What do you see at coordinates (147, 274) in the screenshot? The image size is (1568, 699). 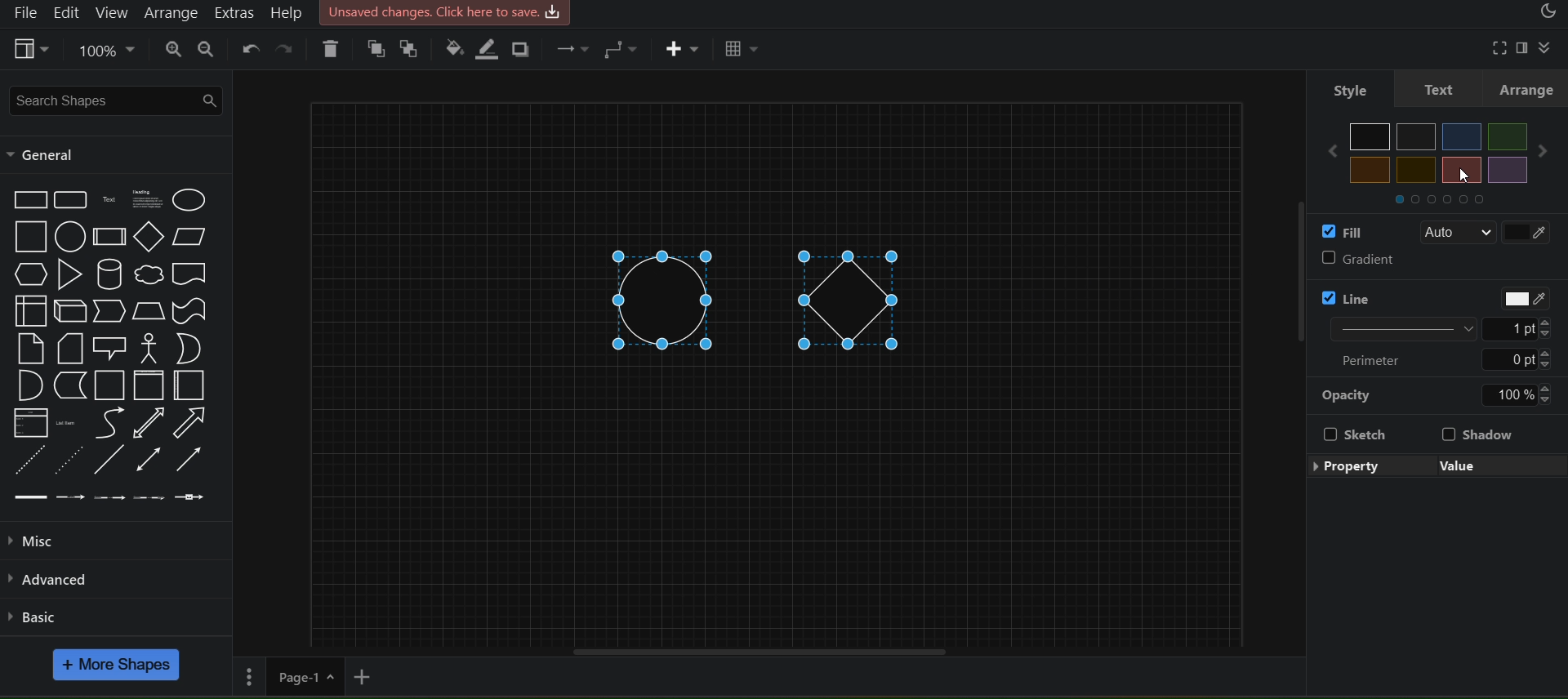 I see `Cloud` at bounding box center [147, 274].